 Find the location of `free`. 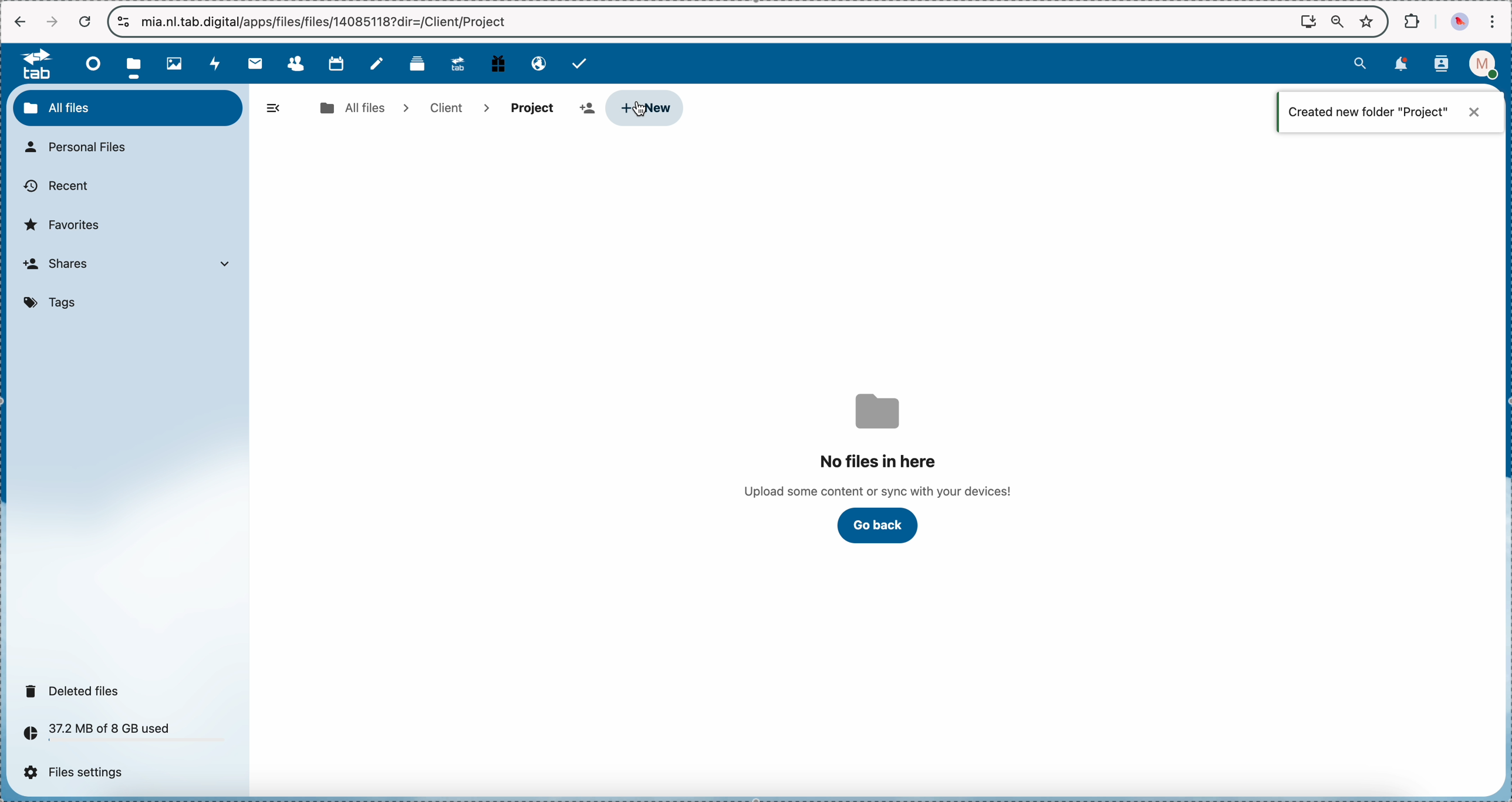

free is located at coordinates (498, 62).